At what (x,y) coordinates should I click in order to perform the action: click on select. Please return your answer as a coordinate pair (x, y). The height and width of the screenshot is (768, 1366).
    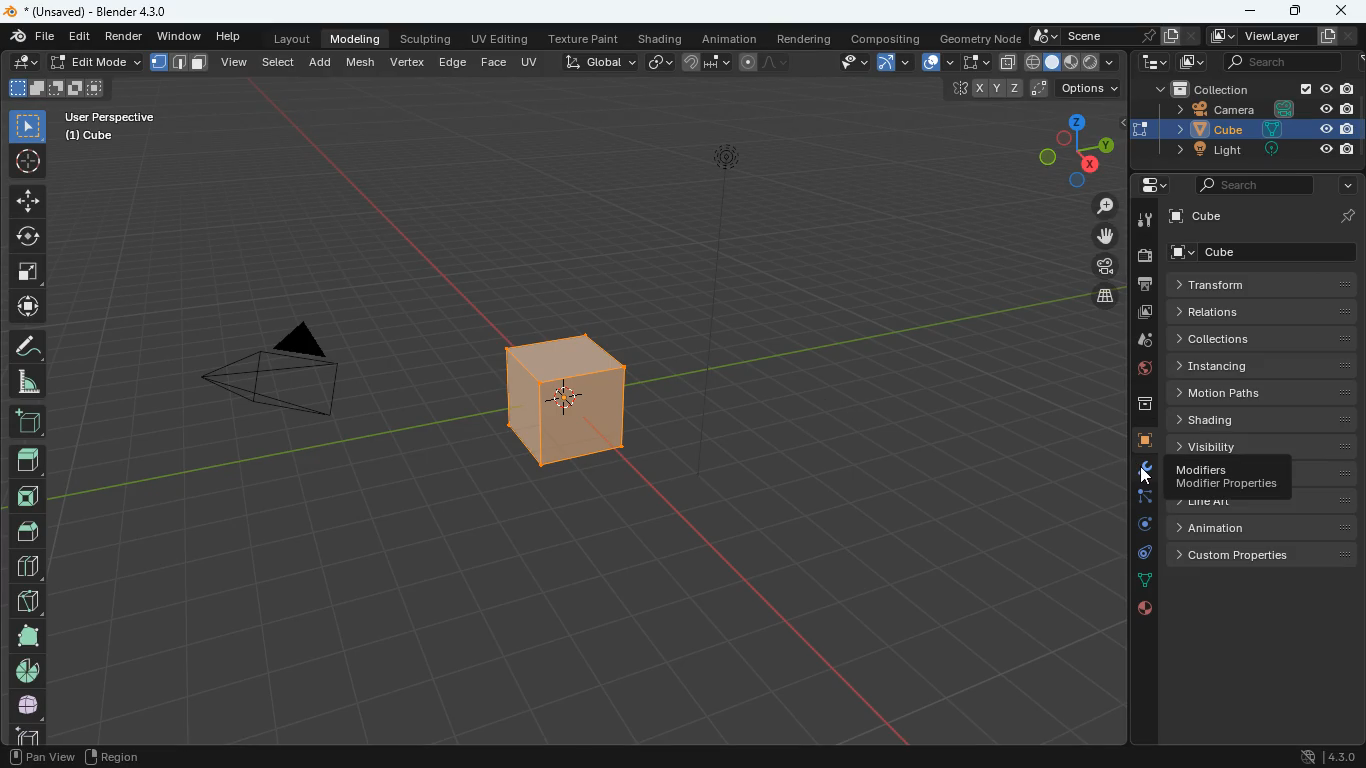
    Looking at the image, I should click on (282, 61).